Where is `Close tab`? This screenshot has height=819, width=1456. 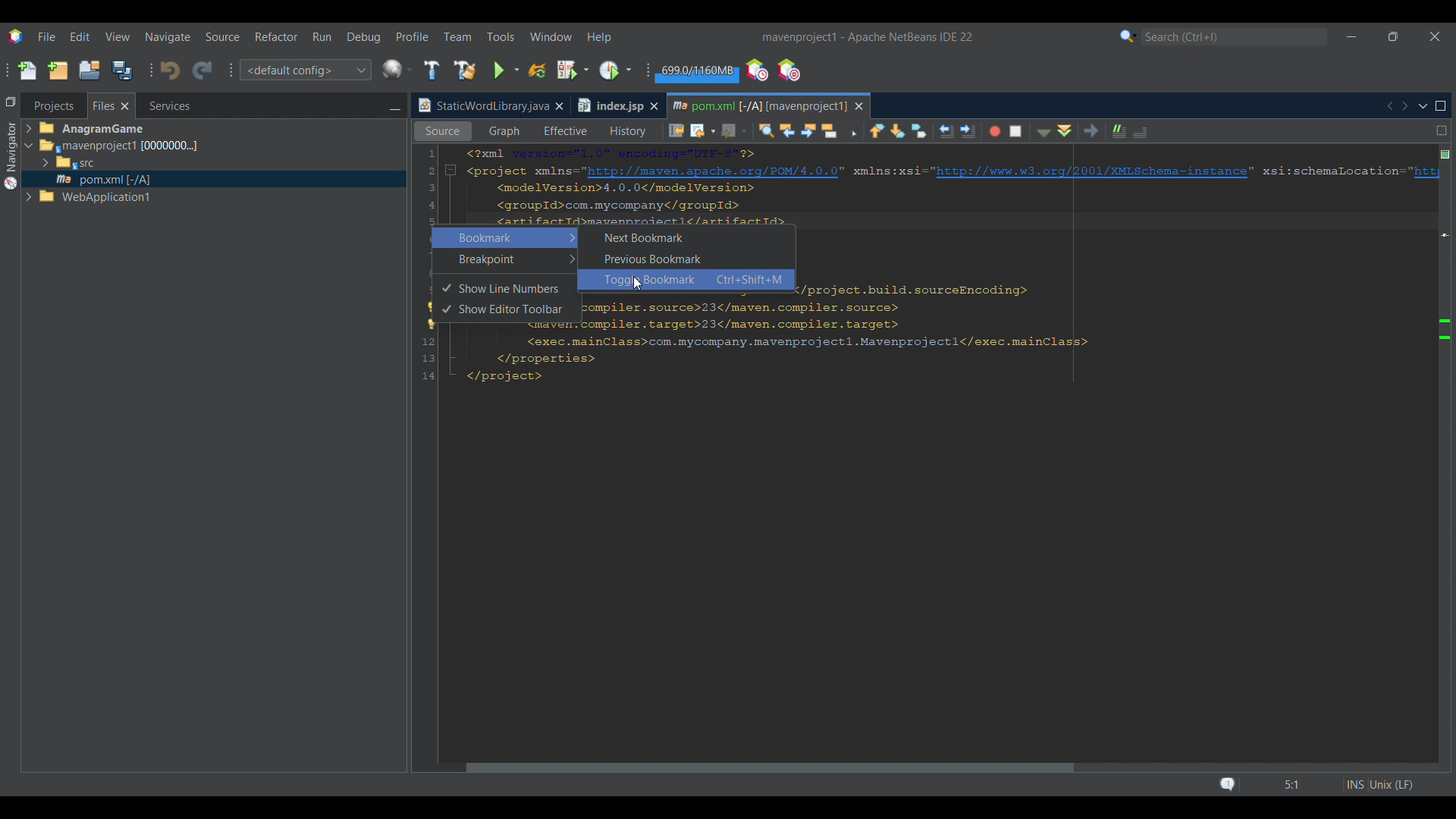
Close tab is located at coordinates (559, 106).